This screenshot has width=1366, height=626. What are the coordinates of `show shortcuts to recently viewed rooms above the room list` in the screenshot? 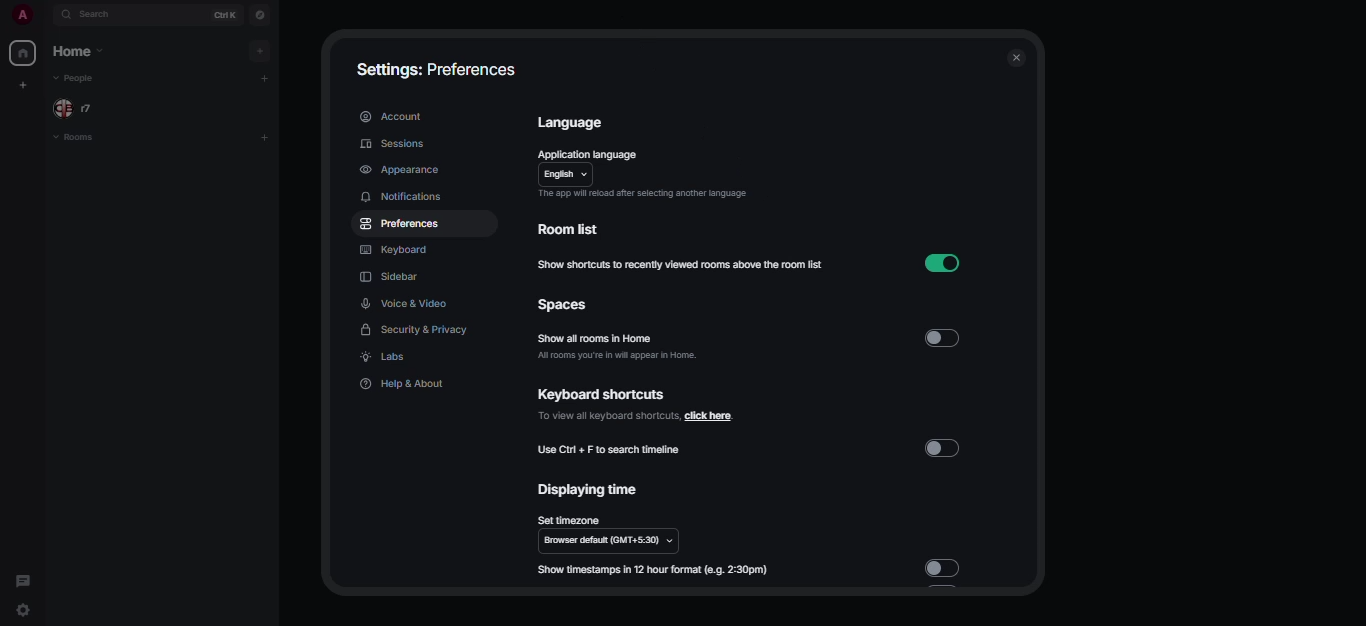 It's located at (682, 265).